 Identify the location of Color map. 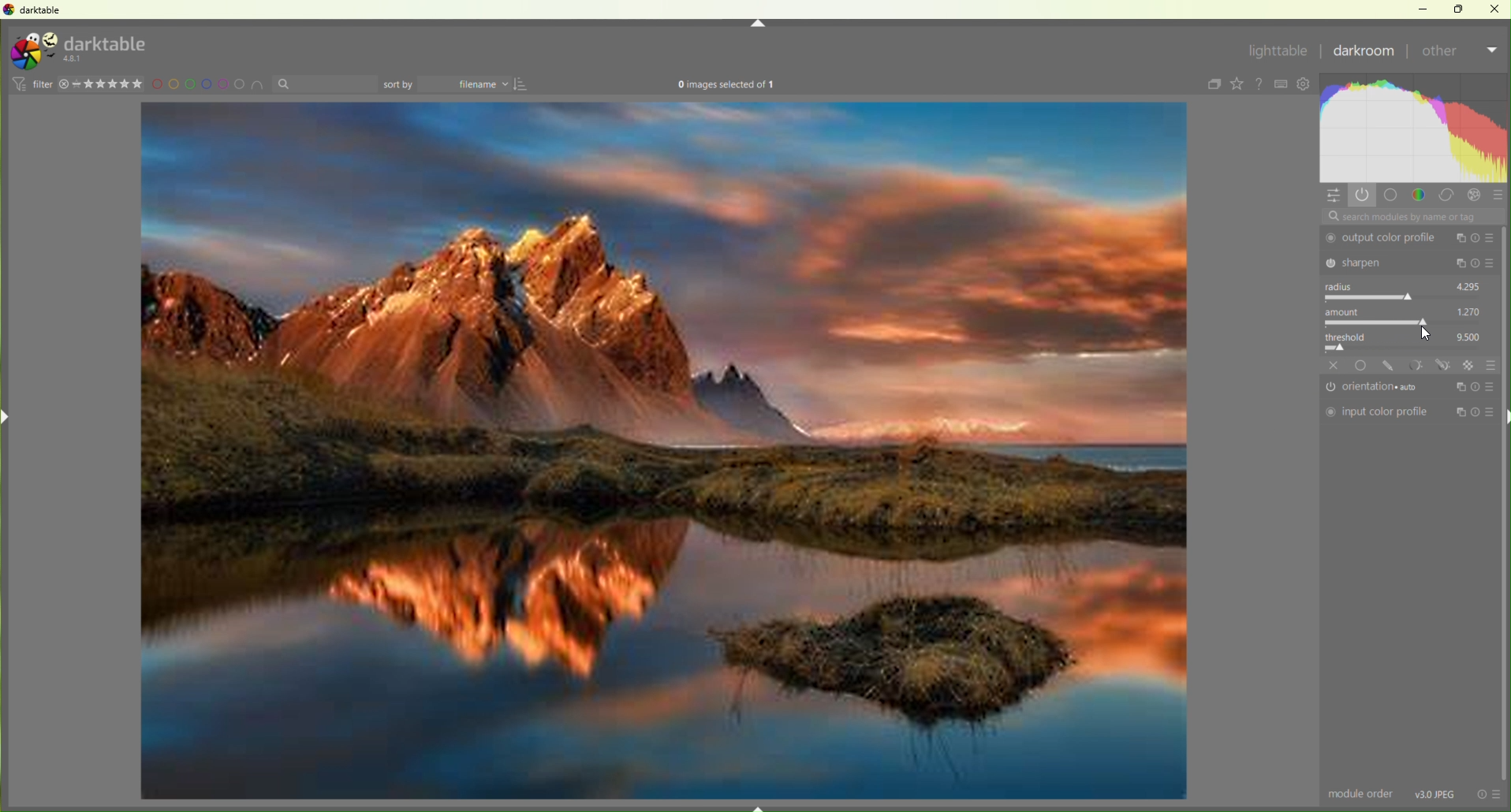
(1416, 128).